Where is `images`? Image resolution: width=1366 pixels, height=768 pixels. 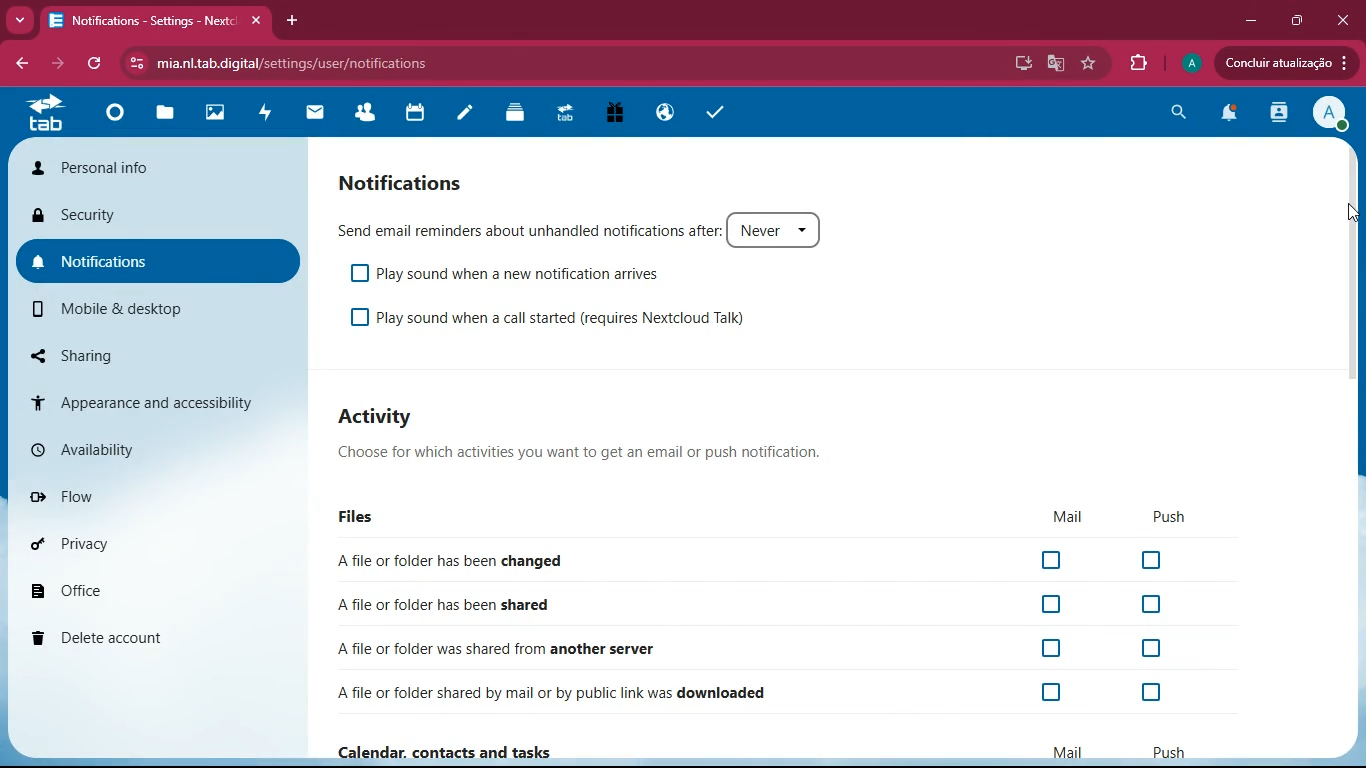
images is located at coordinates (219, 114).